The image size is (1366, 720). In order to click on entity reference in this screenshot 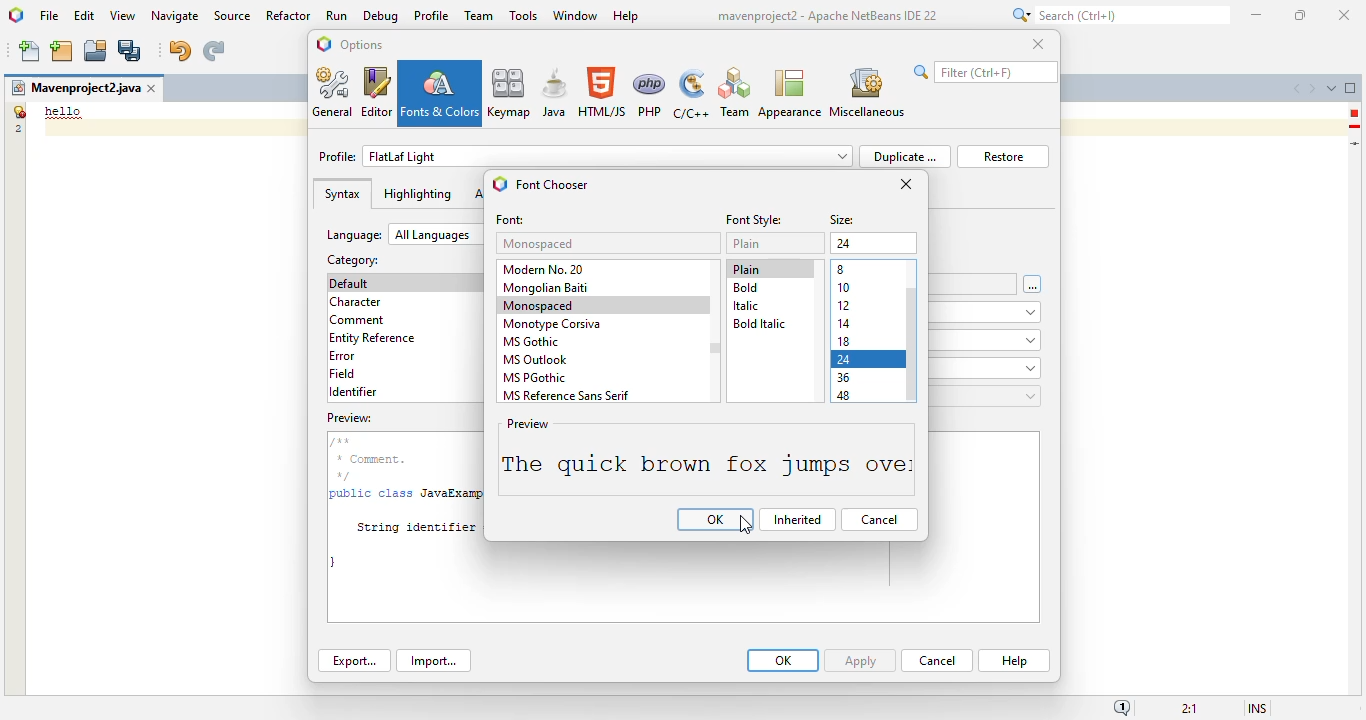, I will do `click(373, 339)`.